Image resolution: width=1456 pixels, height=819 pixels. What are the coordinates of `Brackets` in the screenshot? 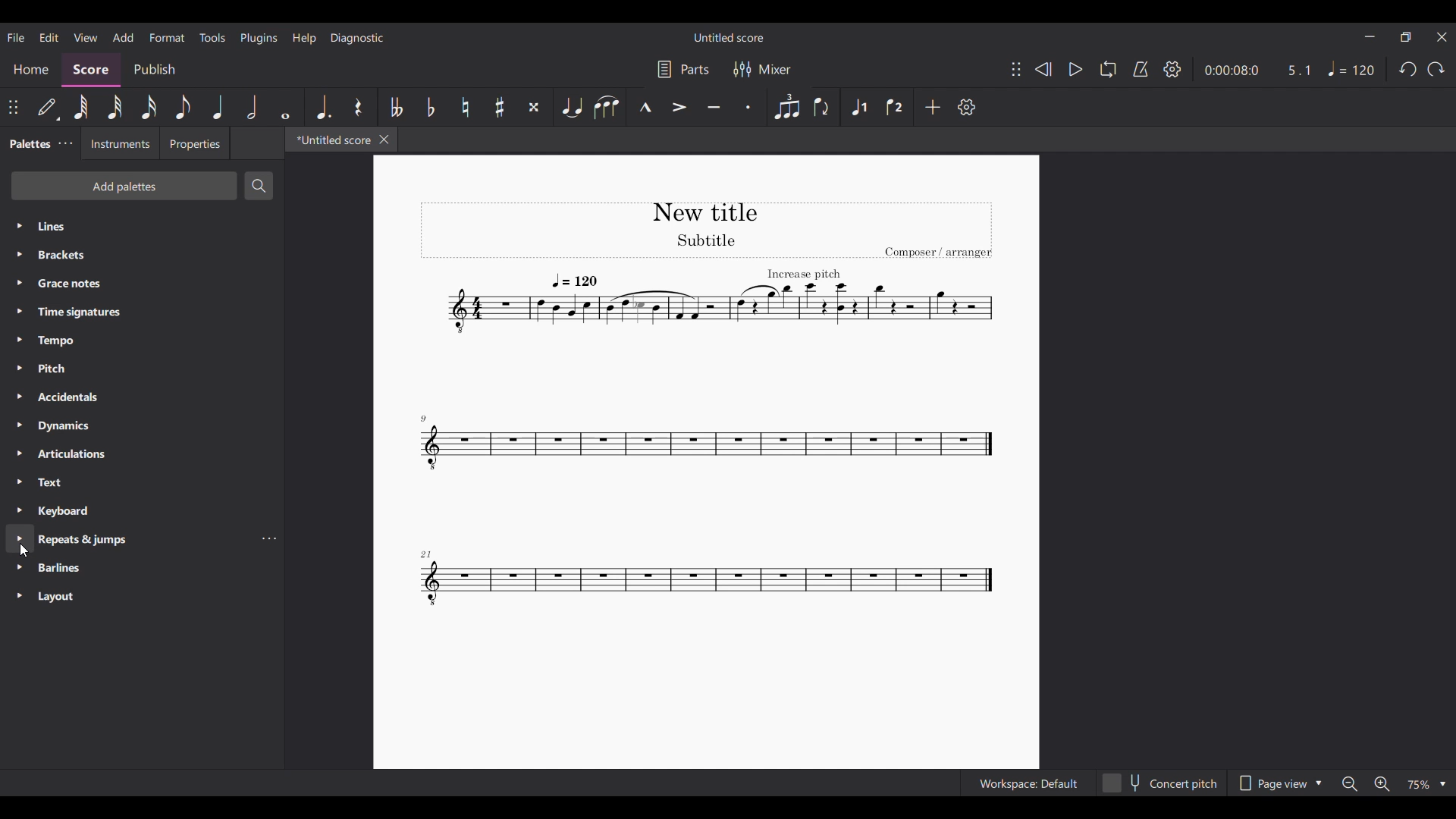 It's located at (143, 255).